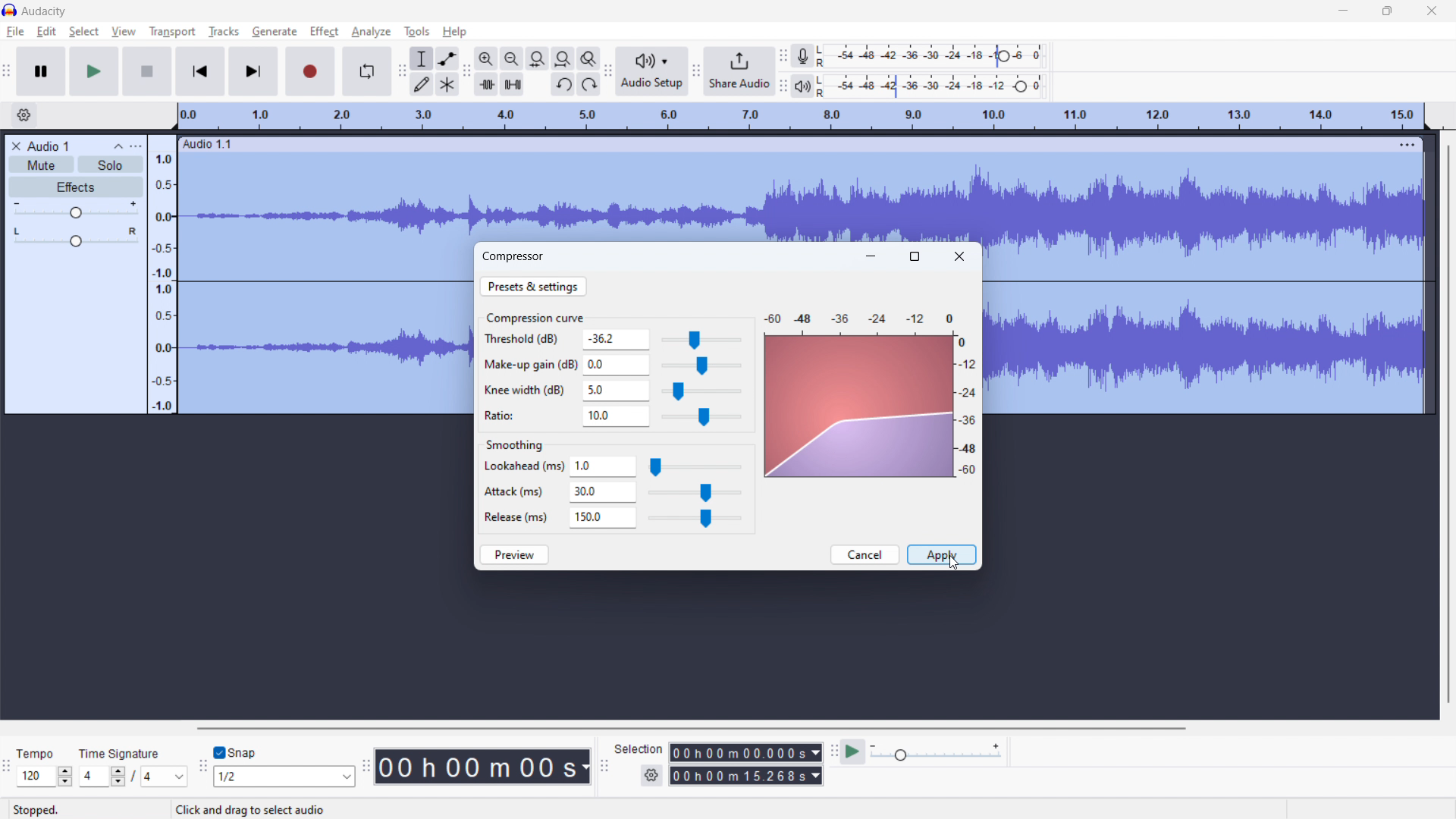  Describe the element at coordinates (959, 256) in the screenshot. I see `close` at that location.